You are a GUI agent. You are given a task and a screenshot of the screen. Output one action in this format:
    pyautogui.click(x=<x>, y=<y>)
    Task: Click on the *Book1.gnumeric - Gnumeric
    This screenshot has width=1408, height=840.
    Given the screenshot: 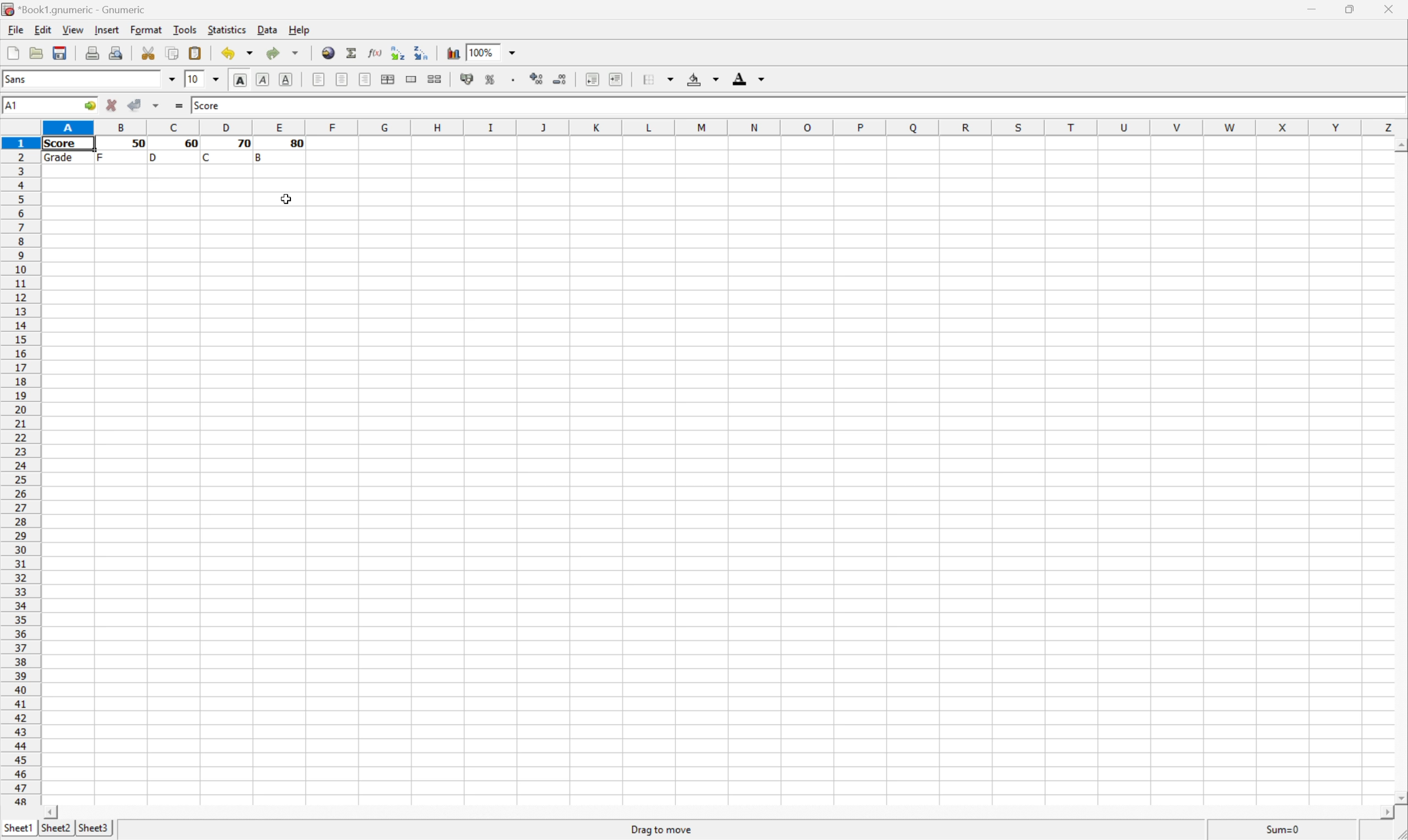 What is the action you would take?
    pyautogui.click(x=76, y=8)
    